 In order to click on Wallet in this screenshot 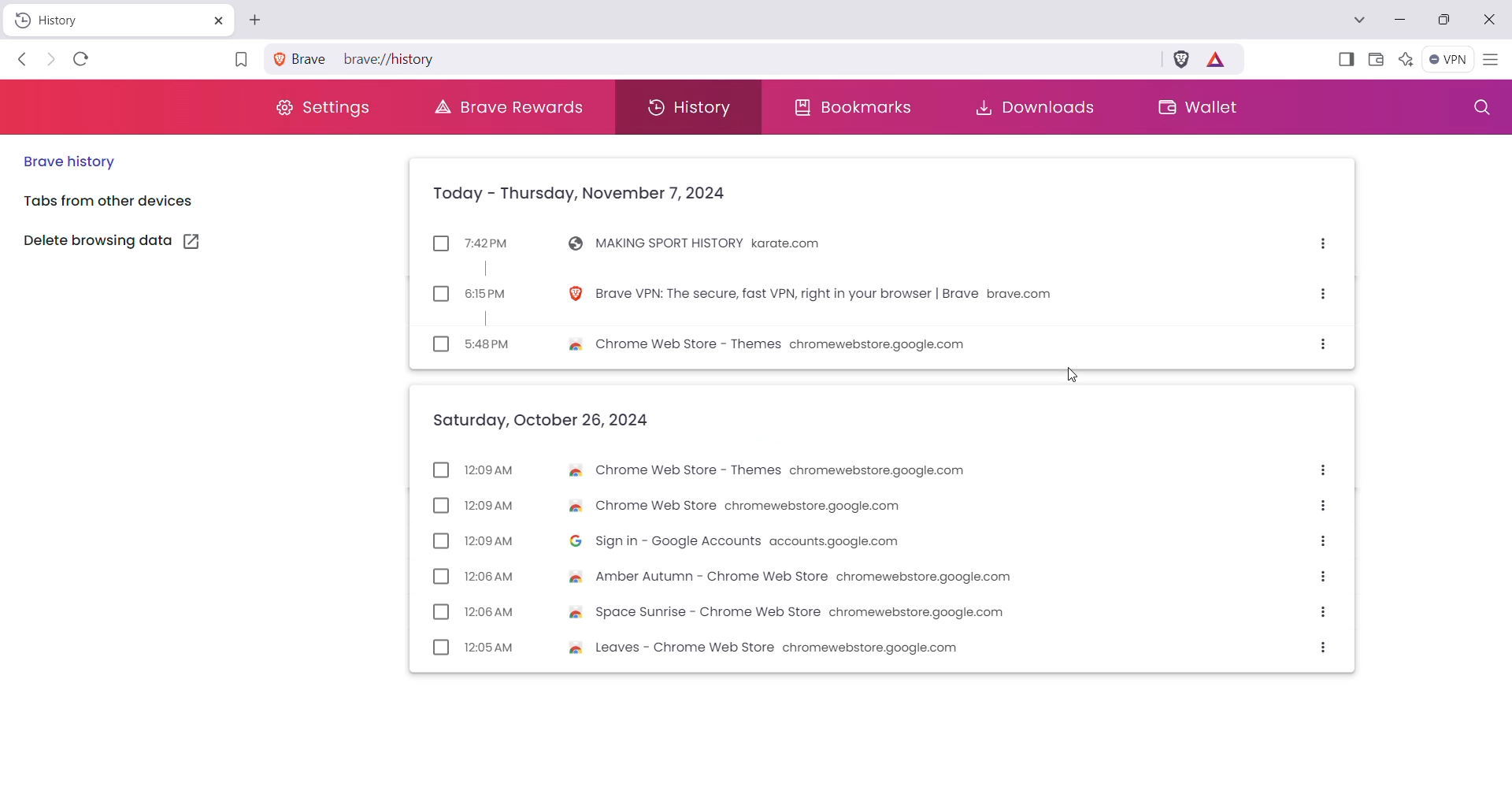, I will do `click(1195, 108)`.